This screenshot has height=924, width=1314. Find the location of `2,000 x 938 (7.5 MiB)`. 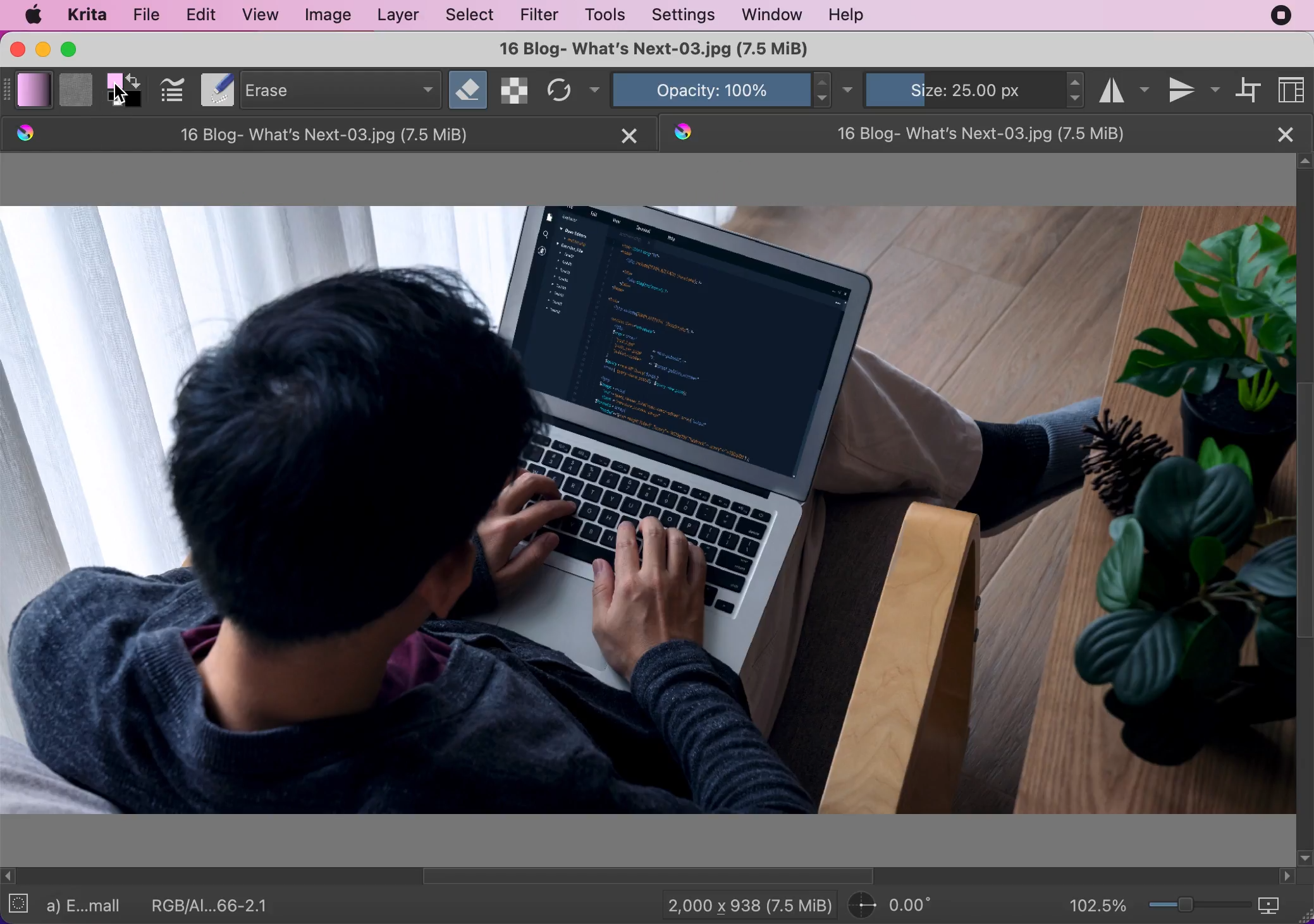

2,000 x 938 (7.5 MiB) is located at coordinates (747, 904).